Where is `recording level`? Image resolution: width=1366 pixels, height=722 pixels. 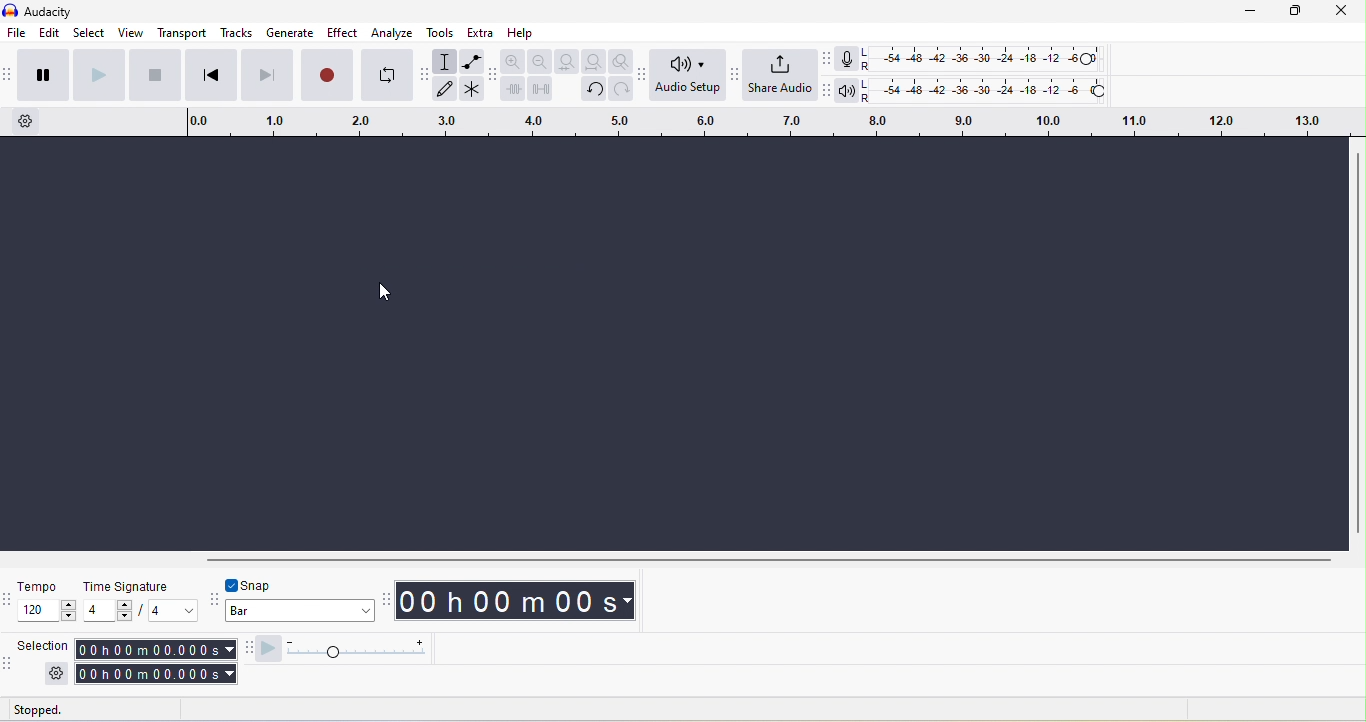
recording level is located at coordinates (989, 58).